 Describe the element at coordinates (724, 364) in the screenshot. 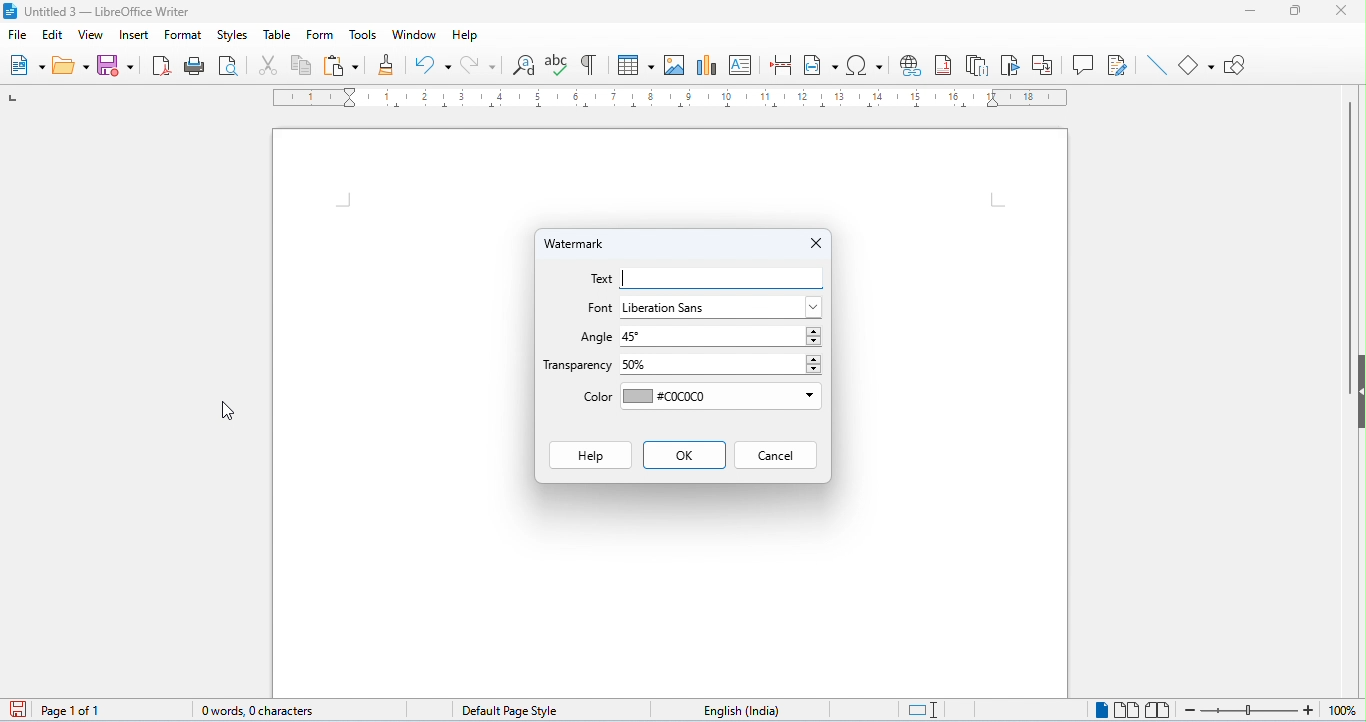

I see `select transparency` at that location.